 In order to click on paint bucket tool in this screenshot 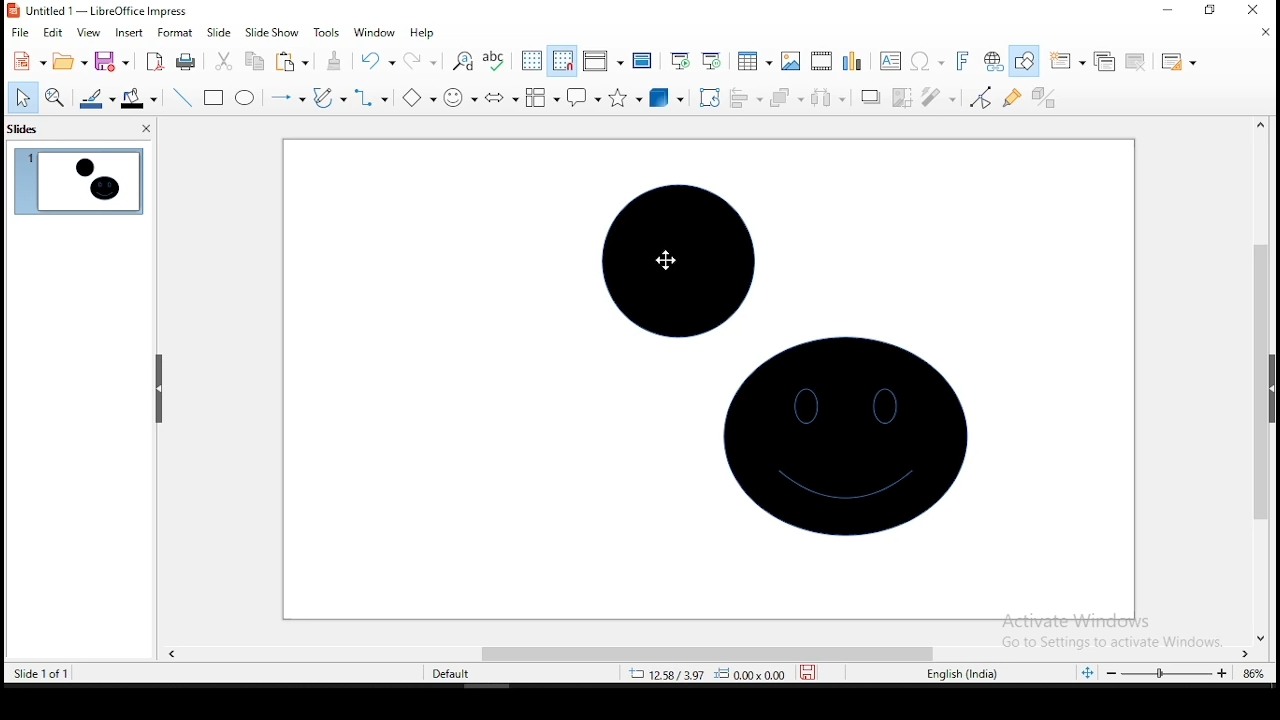, I will do `click(139, 98)`.